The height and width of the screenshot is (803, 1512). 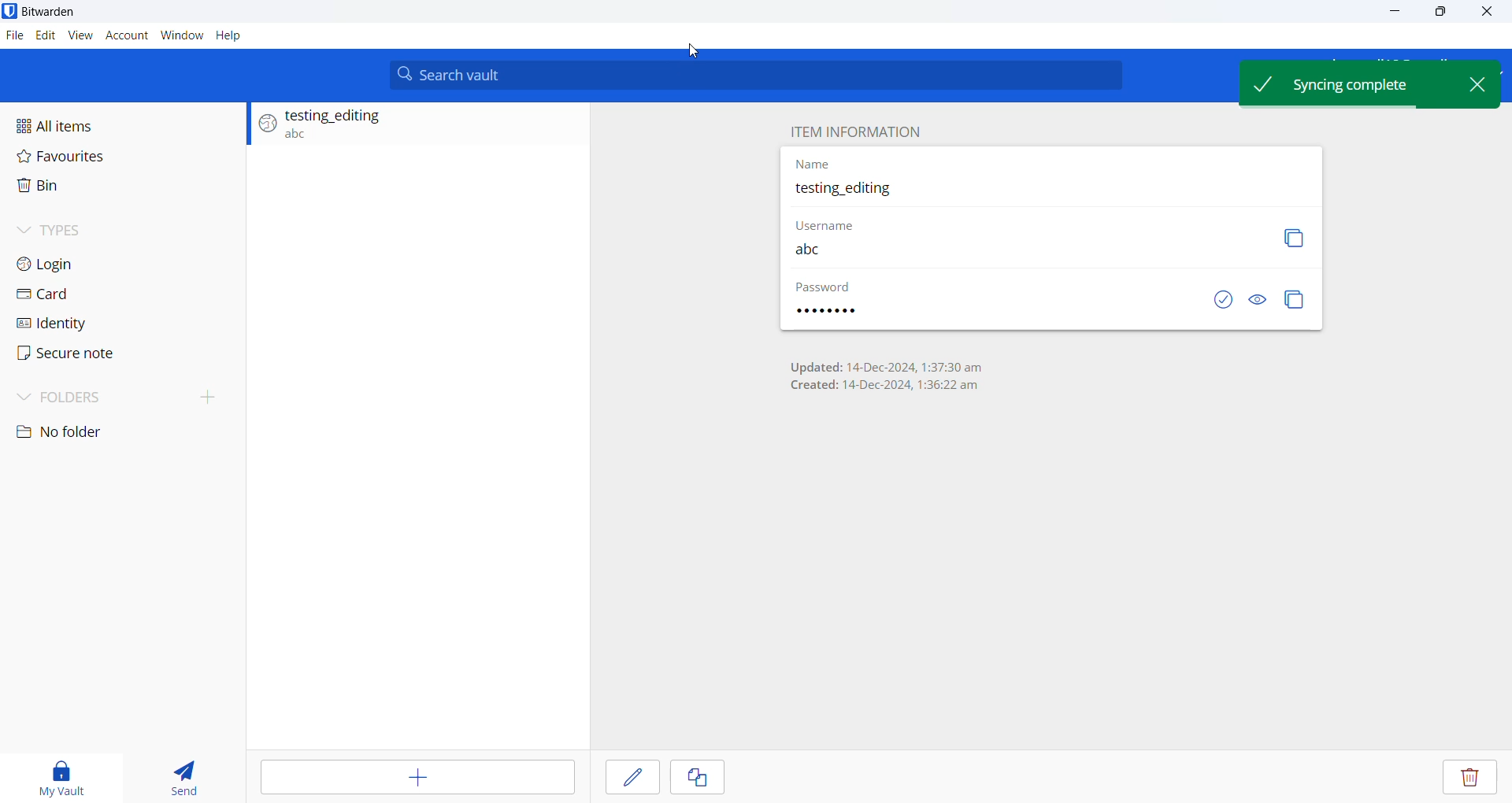 What do you see at coordinates (125, 34) in the screenshot?
I see `Account` at bounding box center [125, 34].